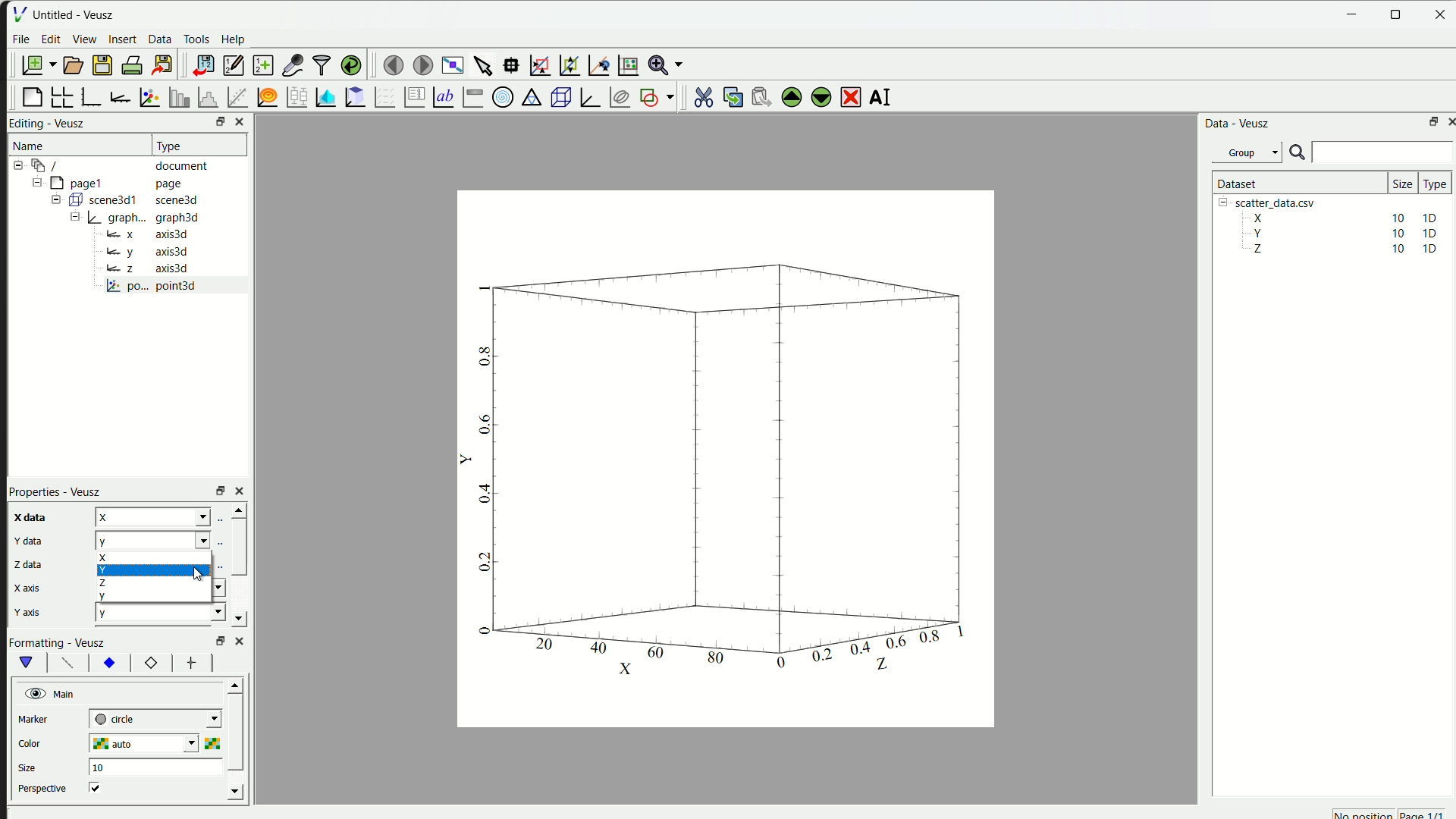  What do you see at coordinates (144, 268) in the screenshot?
I see `Bz  axis3d` at bounding box center [144, 268].